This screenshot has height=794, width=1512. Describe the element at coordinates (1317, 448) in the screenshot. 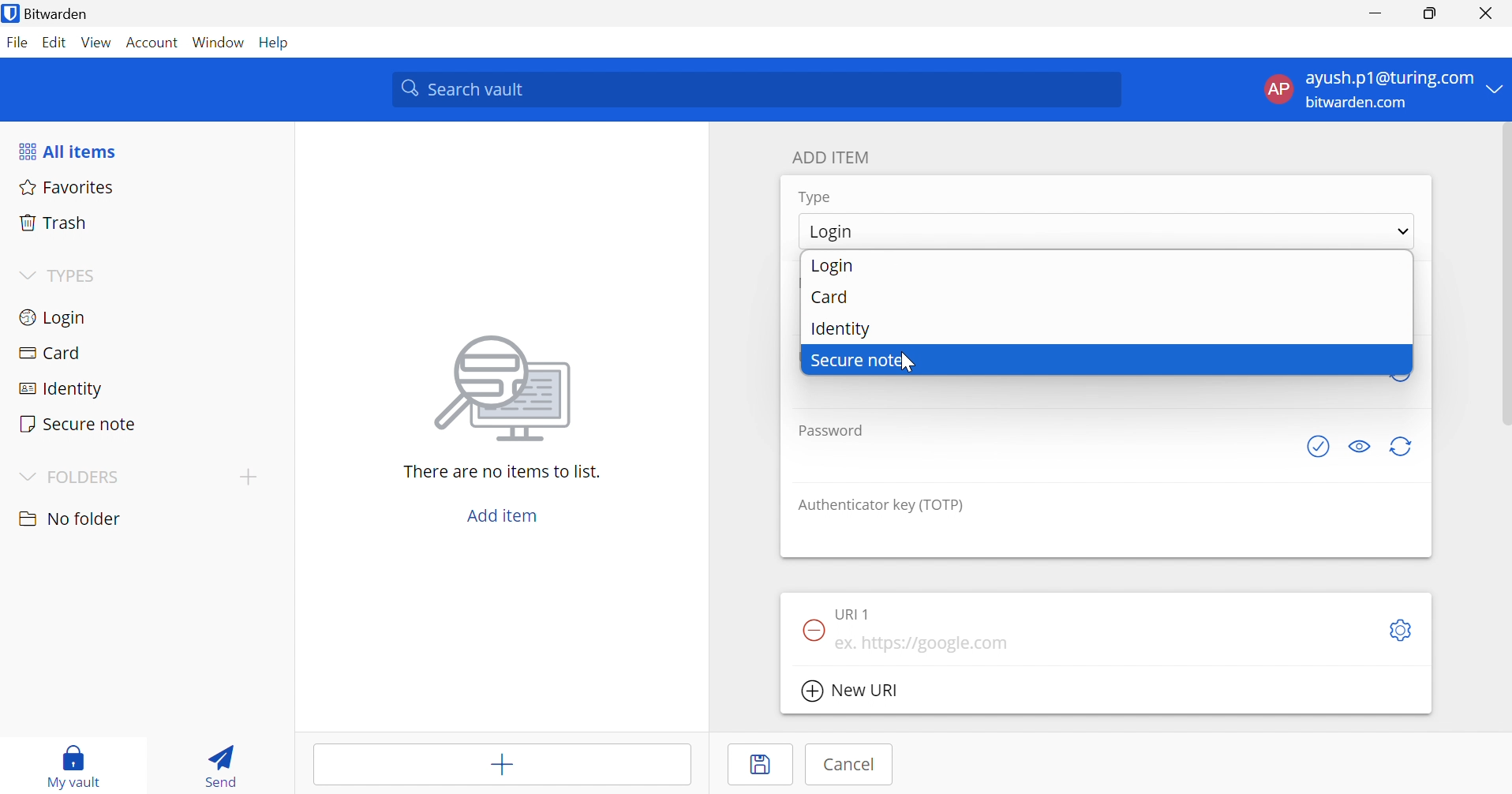

I see `Check if password has been exposed` at that location.